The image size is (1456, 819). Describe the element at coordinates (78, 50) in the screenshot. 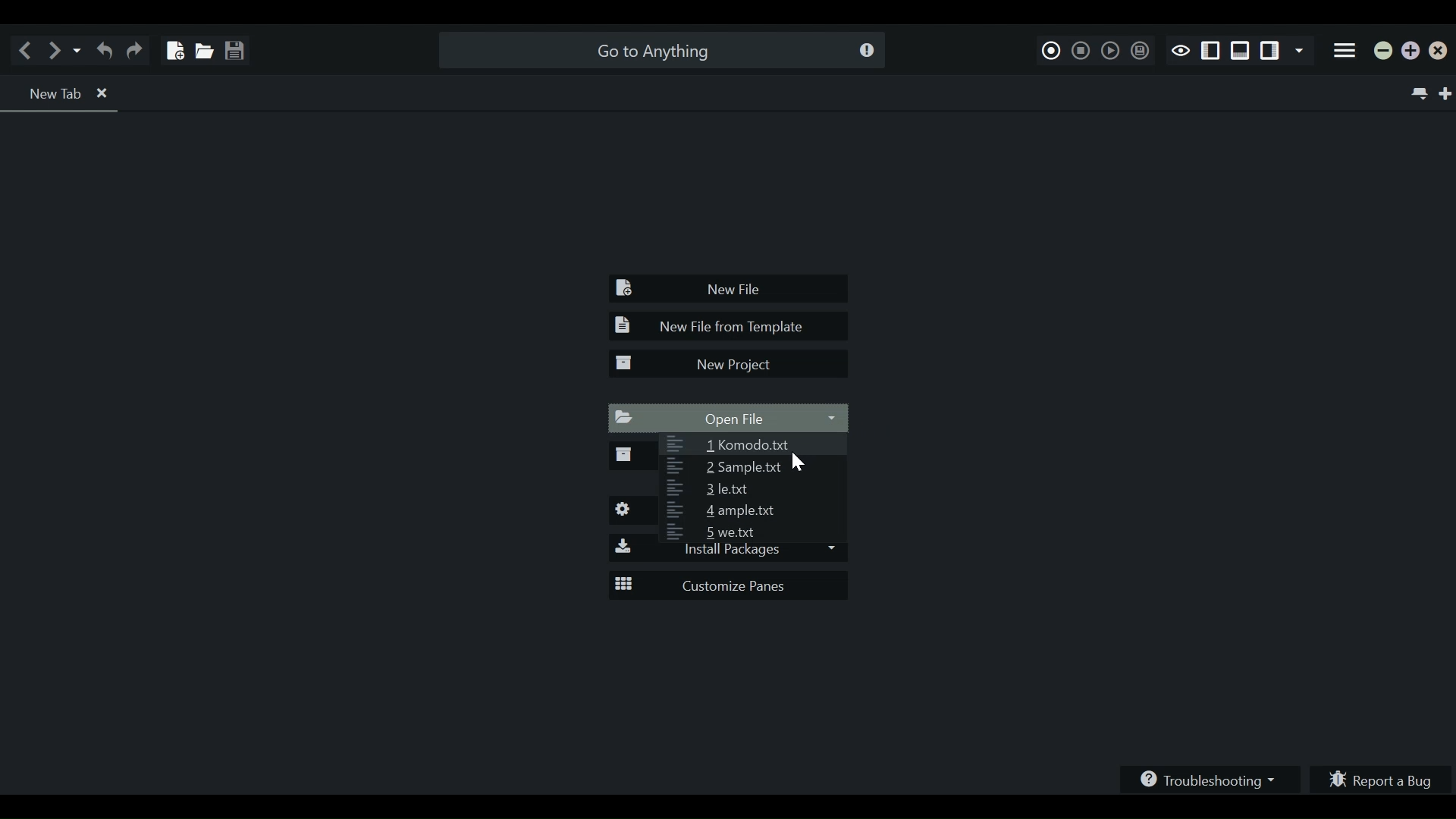

I see `Recent locations` at that location.